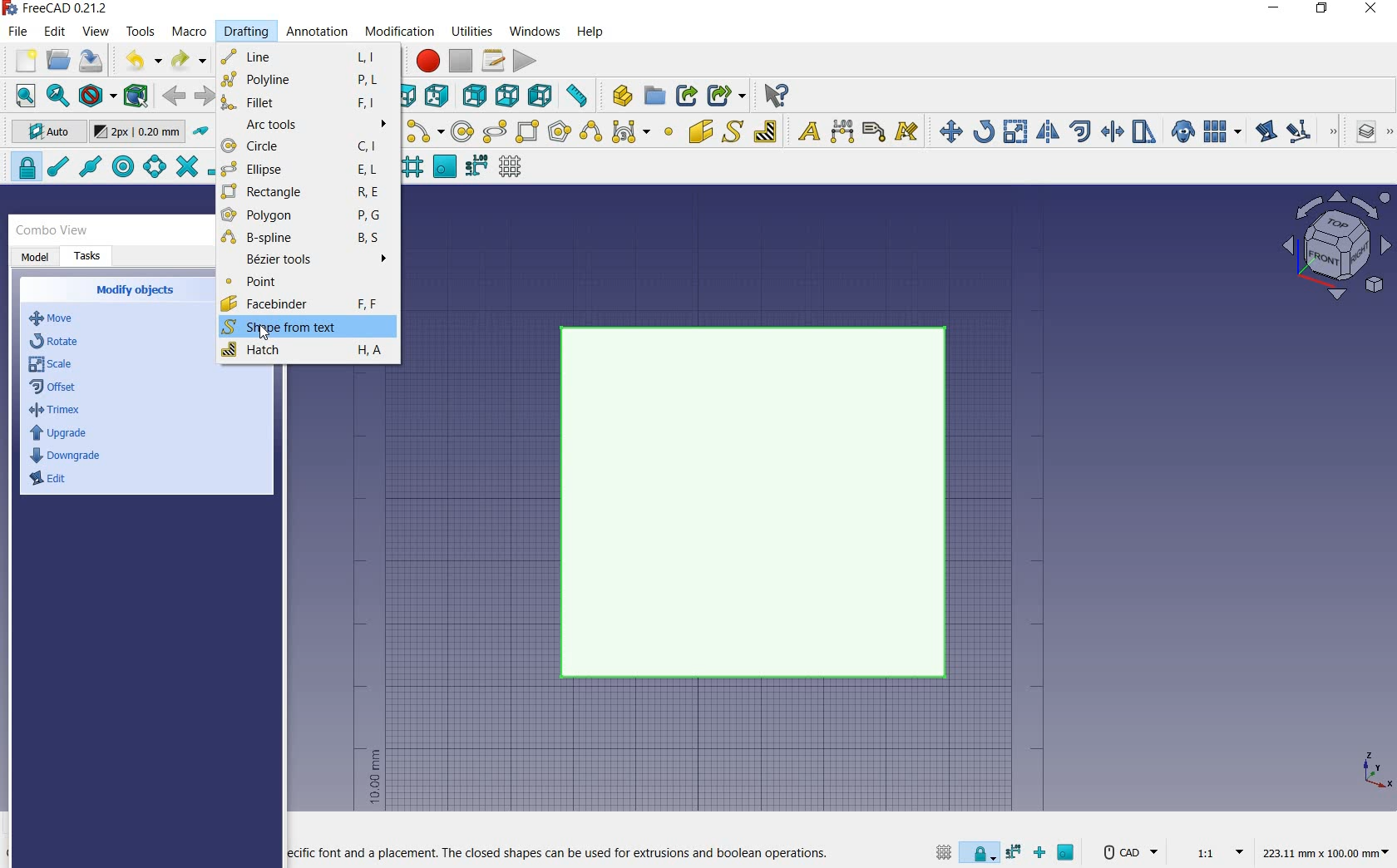 This screenshot has height=868, width=1397. I want to click on macro, so click(190, 33).